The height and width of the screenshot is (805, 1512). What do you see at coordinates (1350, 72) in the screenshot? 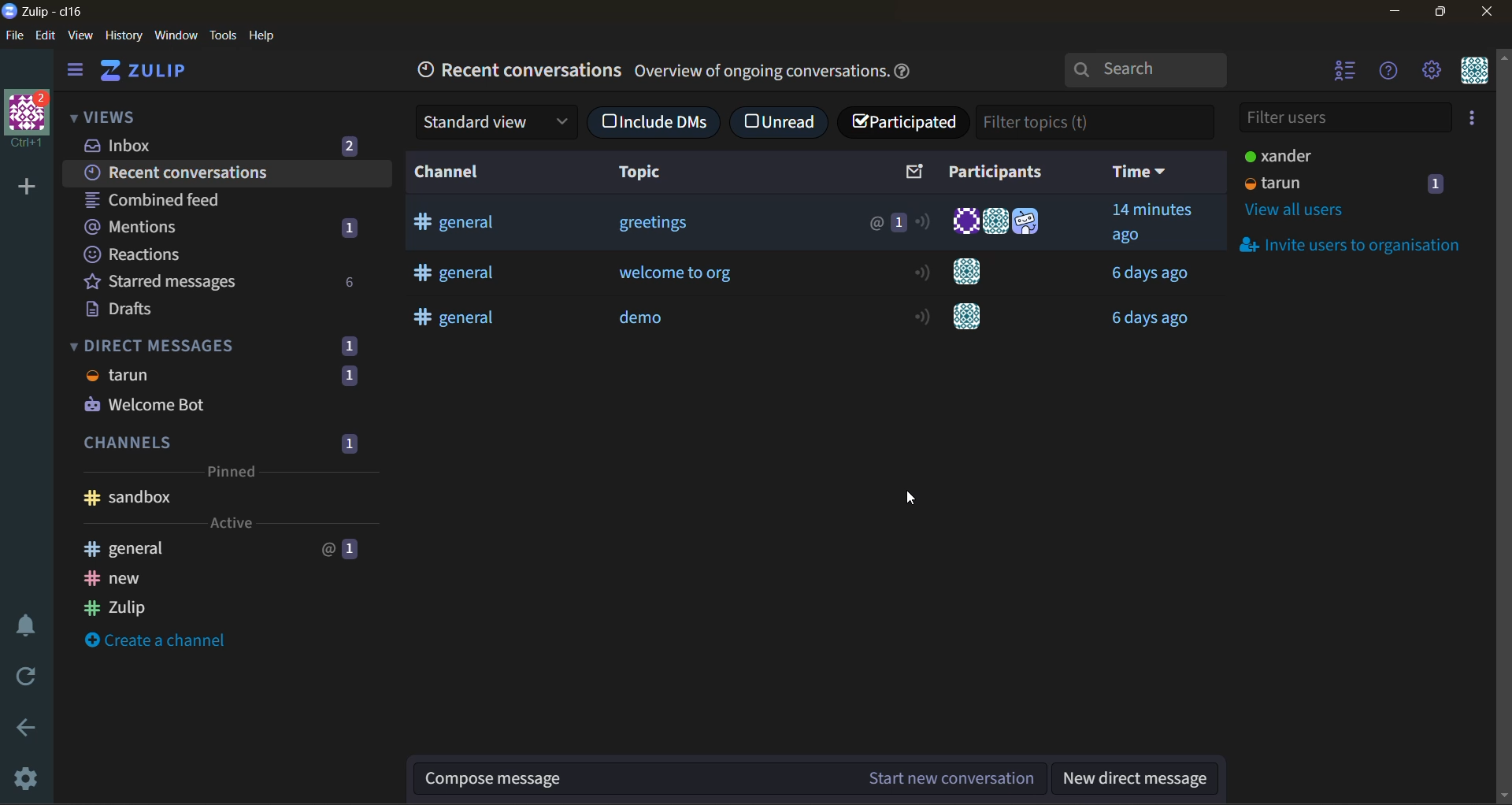
I see `hide user list` at bounding box center [1350, 72].